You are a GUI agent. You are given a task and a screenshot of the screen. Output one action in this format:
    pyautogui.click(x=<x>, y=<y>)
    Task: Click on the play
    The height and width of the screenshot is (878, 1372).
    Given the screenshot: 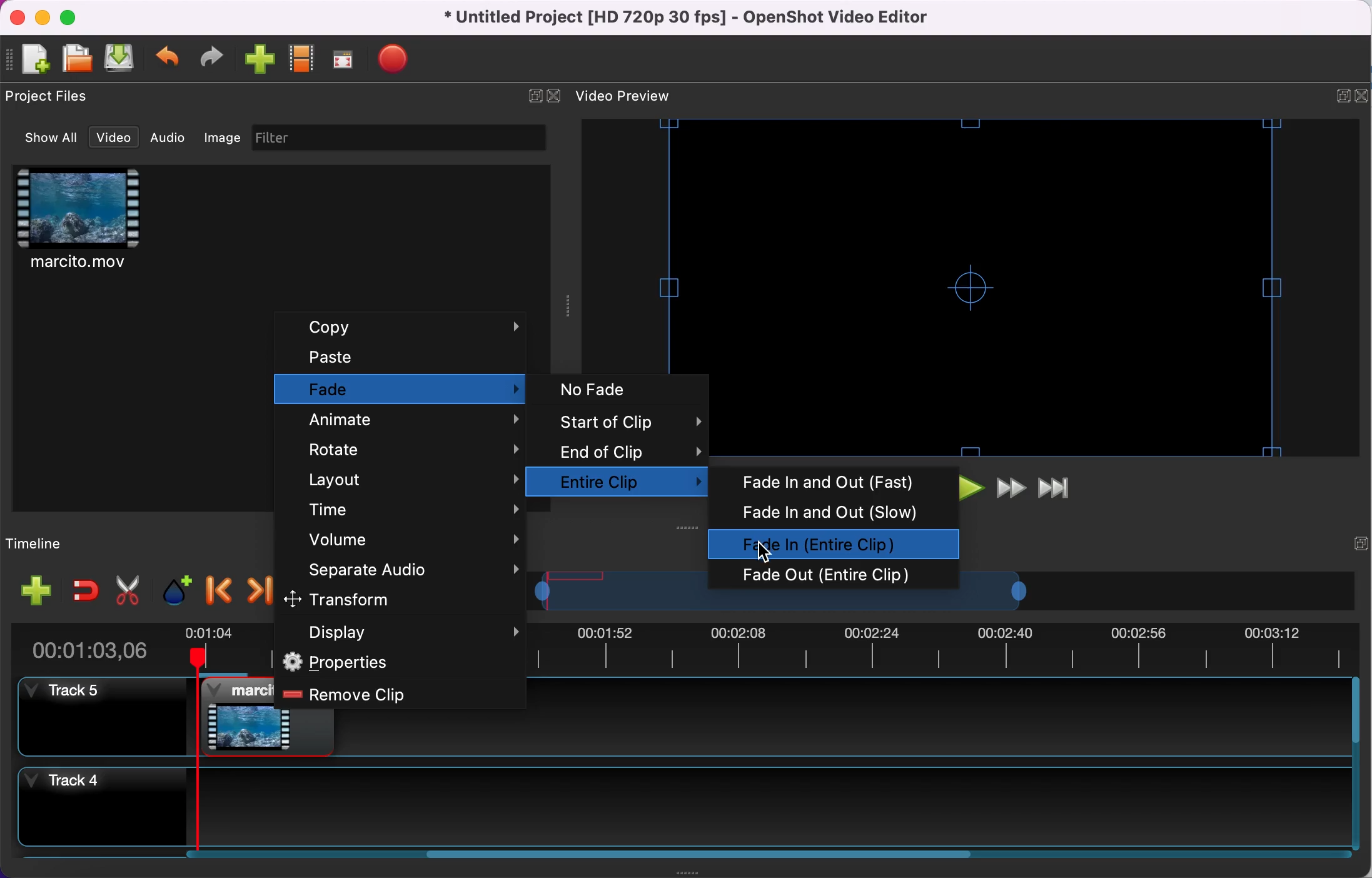 What is the action you would take?
    pyautogui.click(x=971, y=492)
    